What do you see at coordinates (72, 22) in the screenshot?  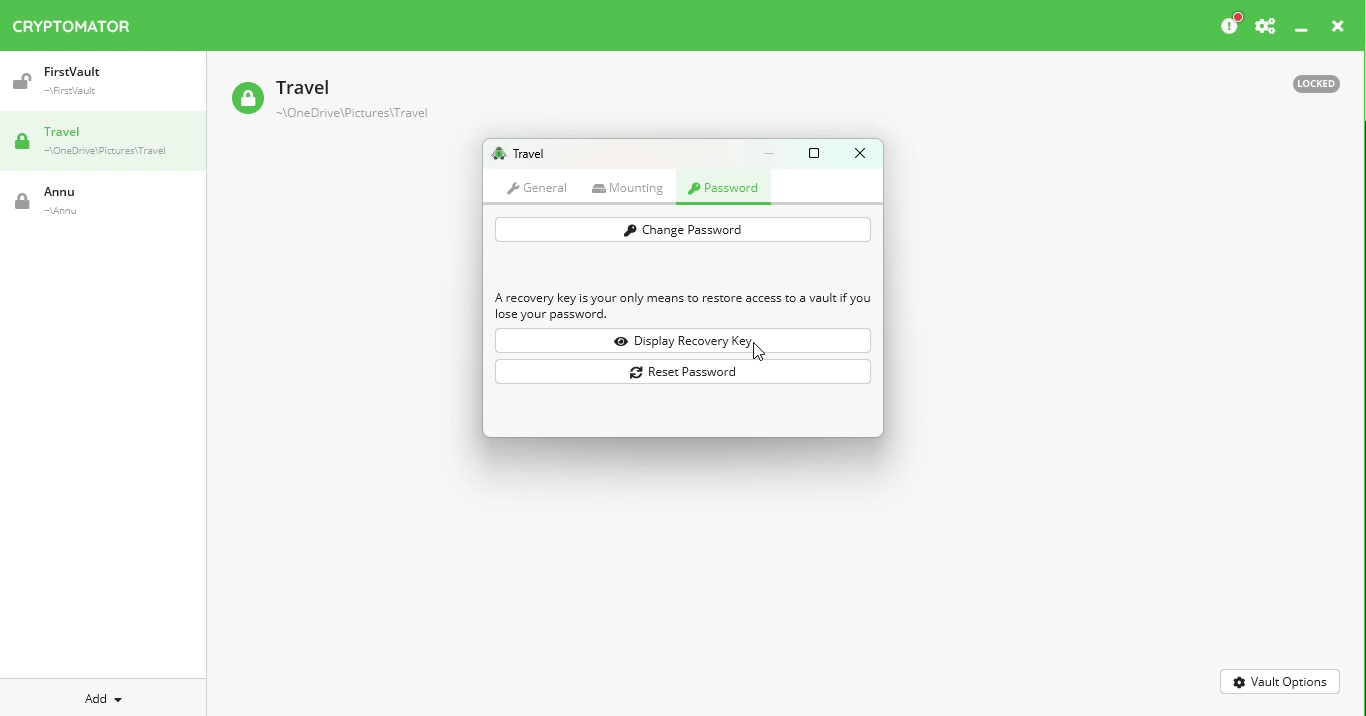 I see `Cryptomator` at bounding box center [72, 22].